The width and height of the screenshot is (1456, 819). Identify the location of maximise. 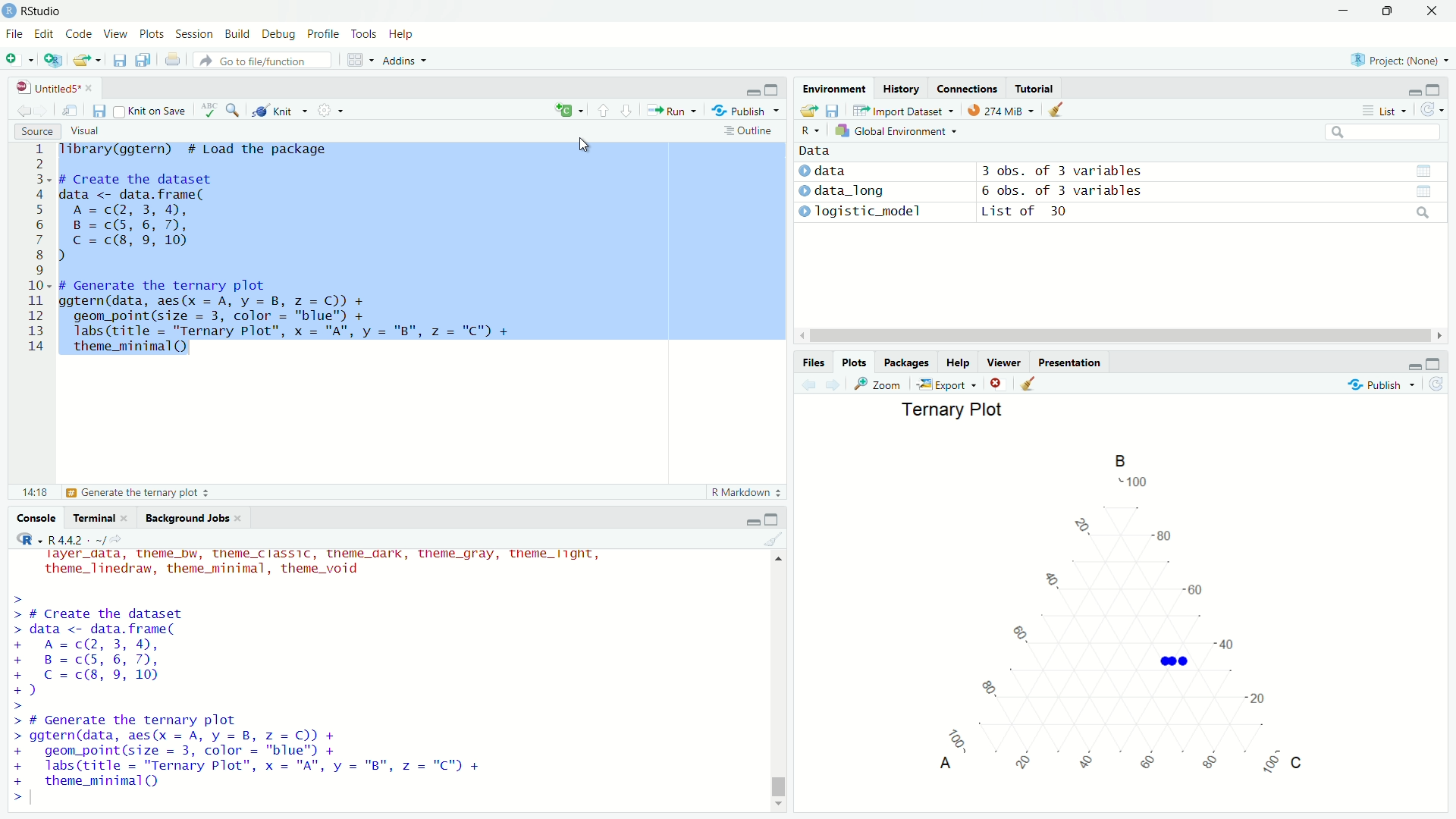
(775, 519).